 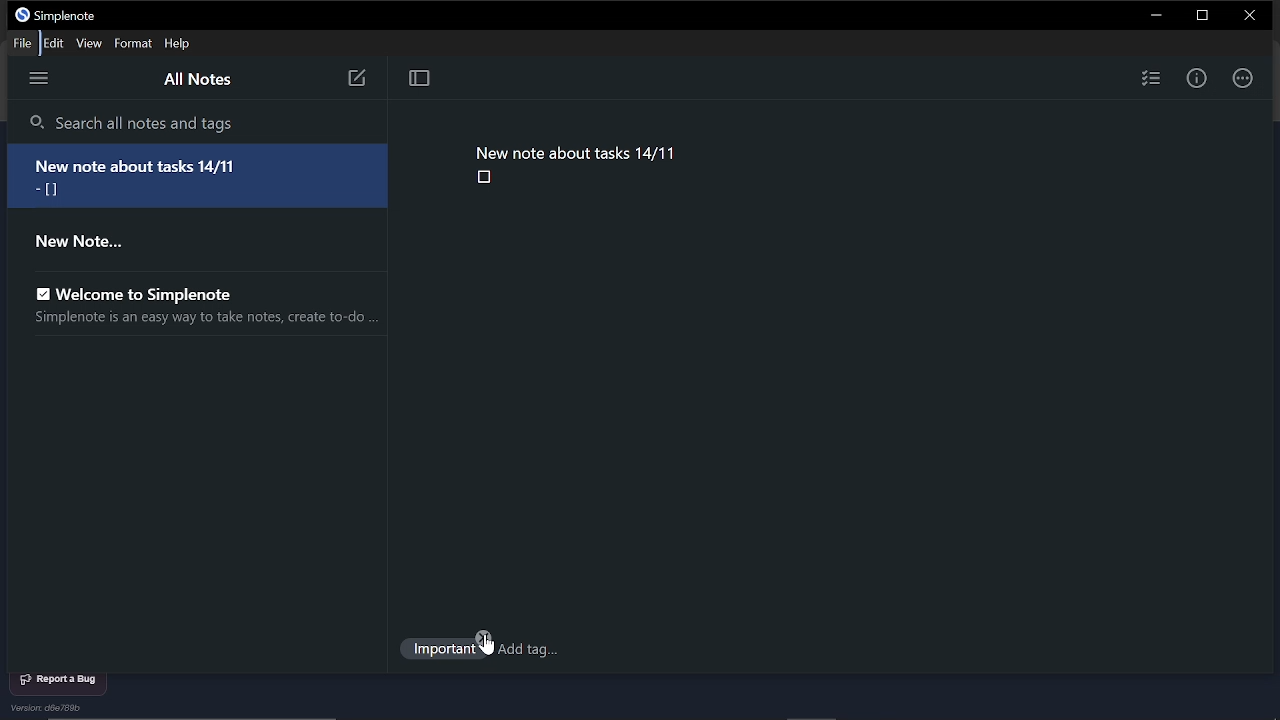 I want to click on Reporta Bug, so click(x=60, y=680).